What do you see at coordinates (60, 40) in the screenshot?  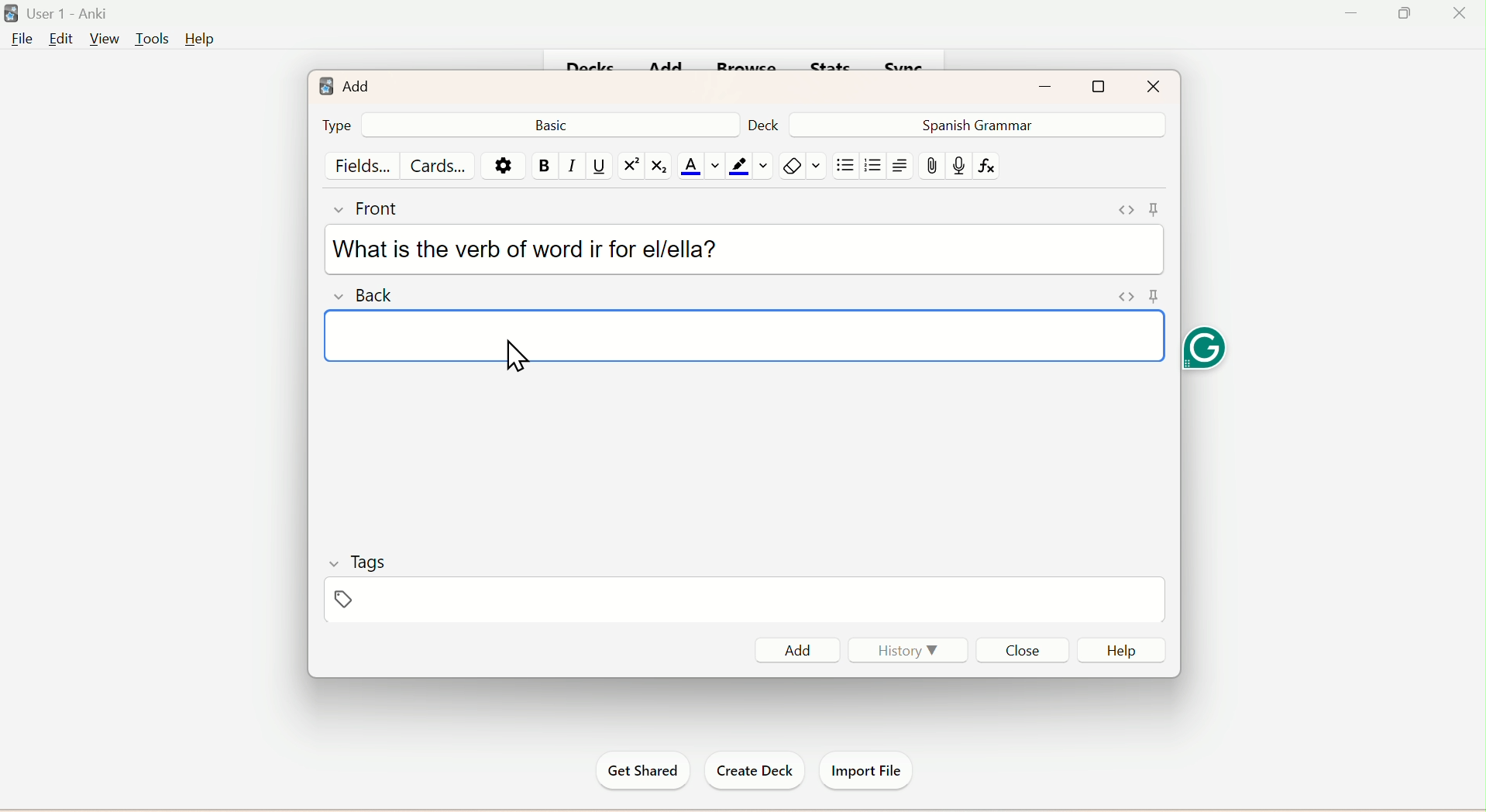 I see `Edit` at bounding box center [60, 40].